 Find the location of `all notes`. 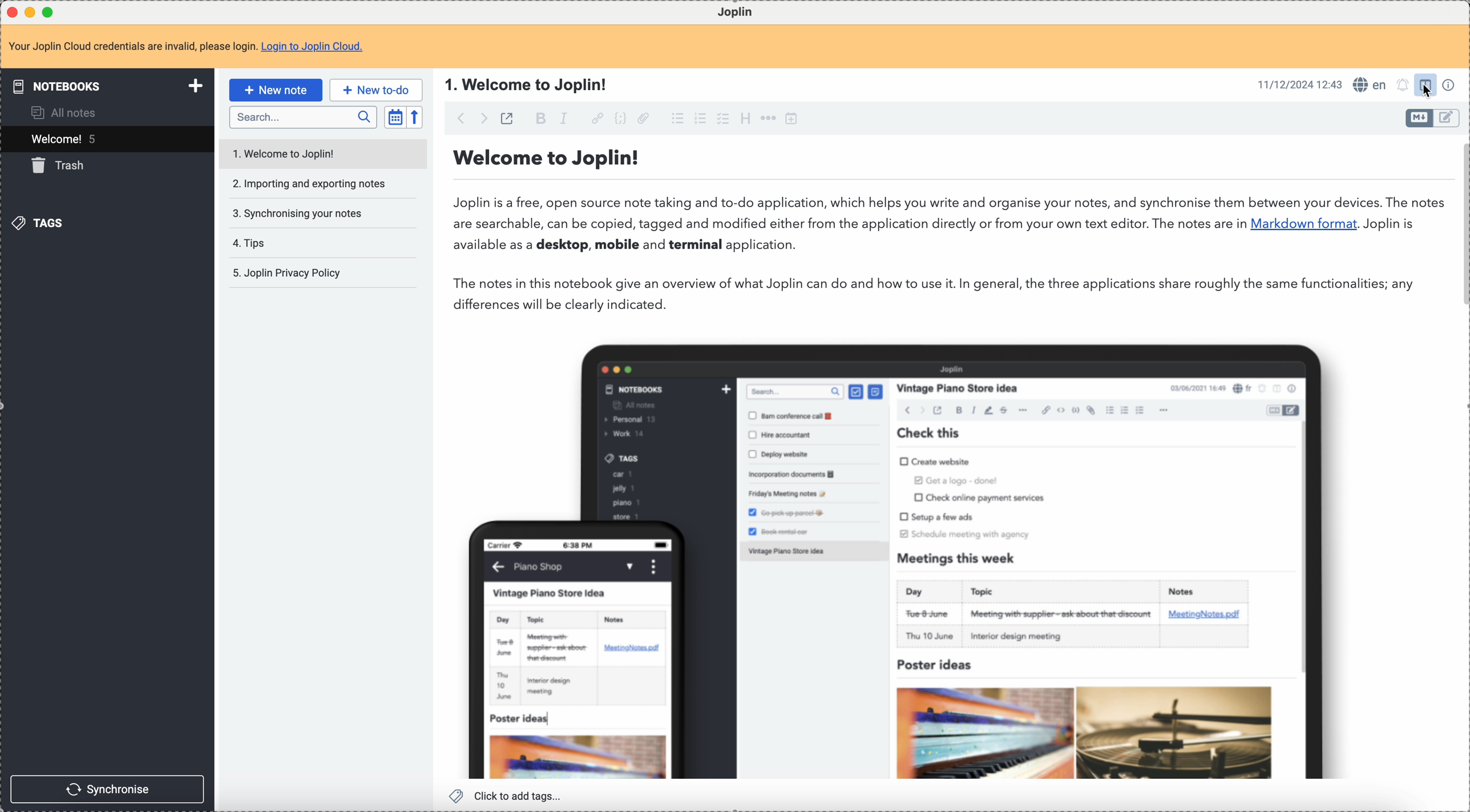

all notes is located at coordinates (70, 112).